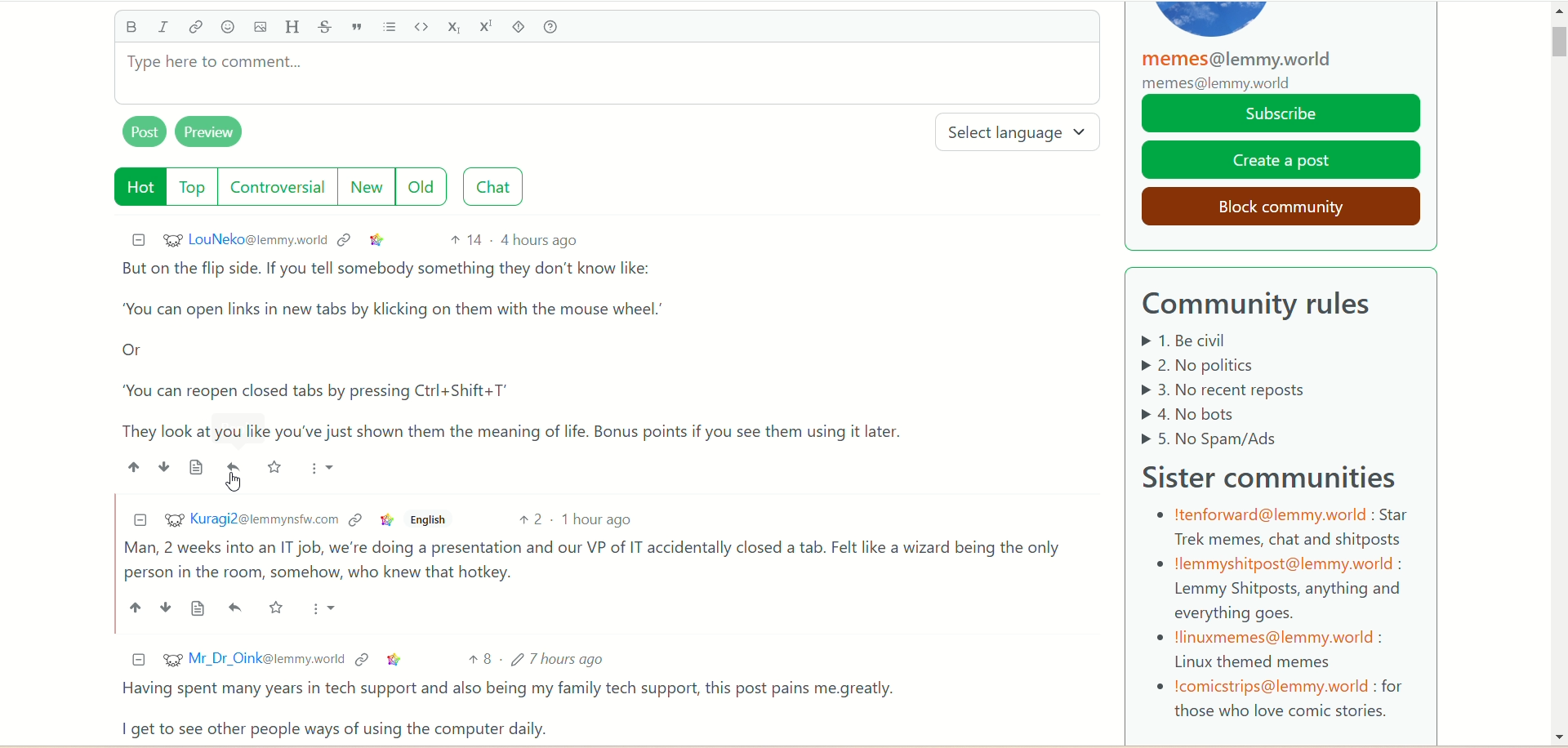  What do you see at coordinates (499, 187) in the screenshot?
I see `chat` at bounding box center [499, 187].